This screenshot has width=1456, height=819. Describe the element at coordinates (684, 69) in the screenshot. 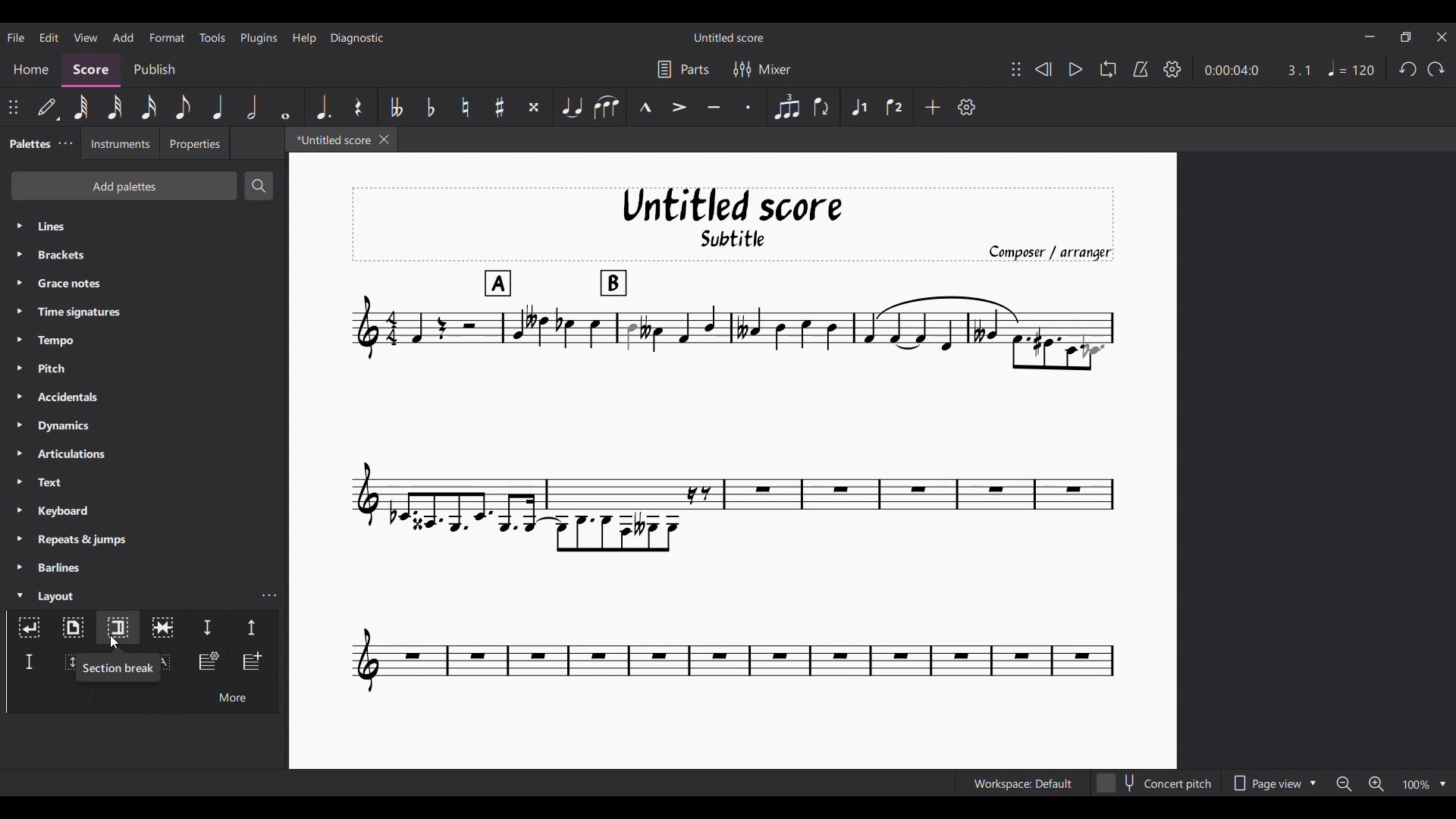

I see `Parts settings` at that location.